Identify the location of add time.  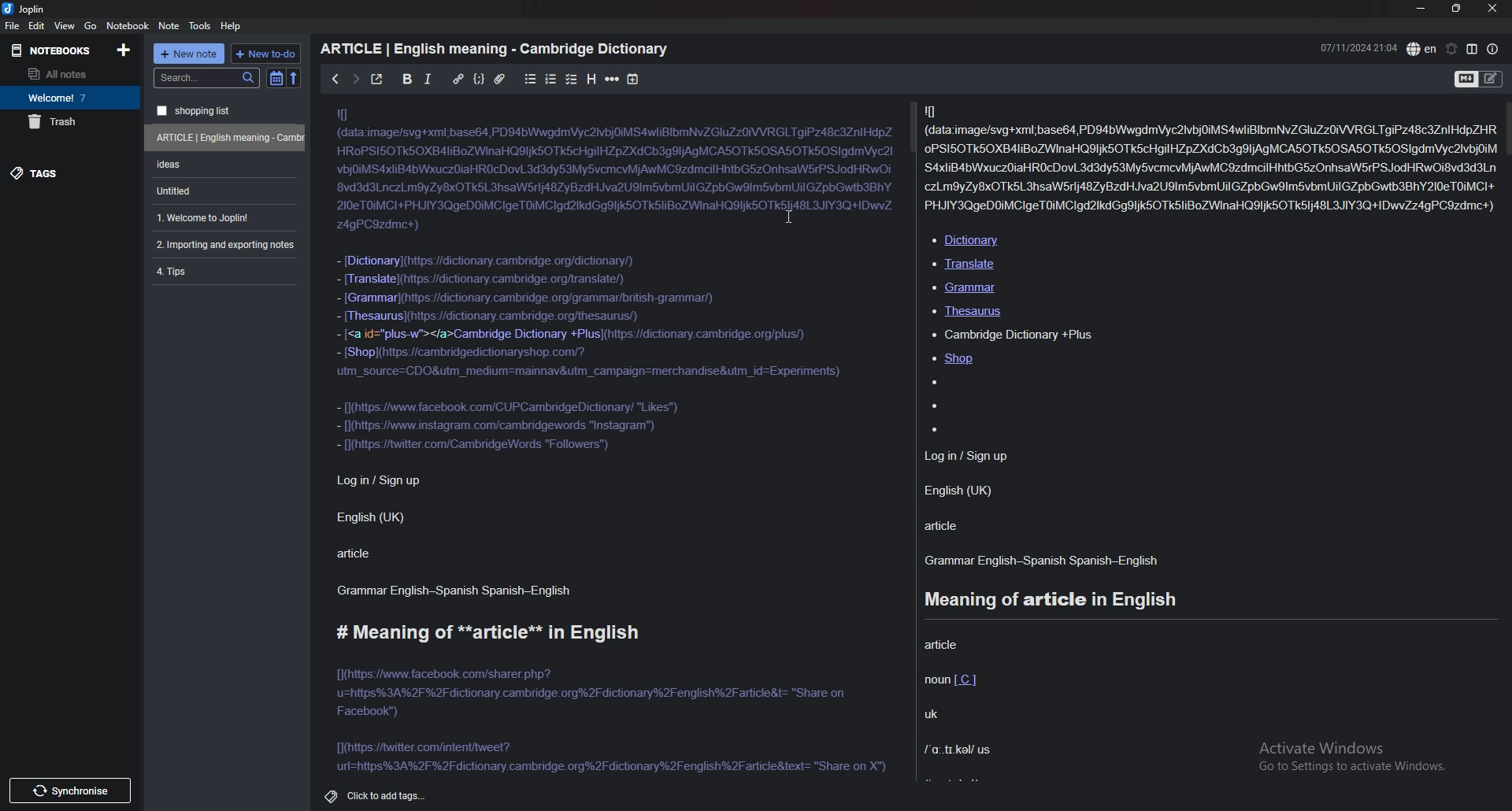
(632, 80).